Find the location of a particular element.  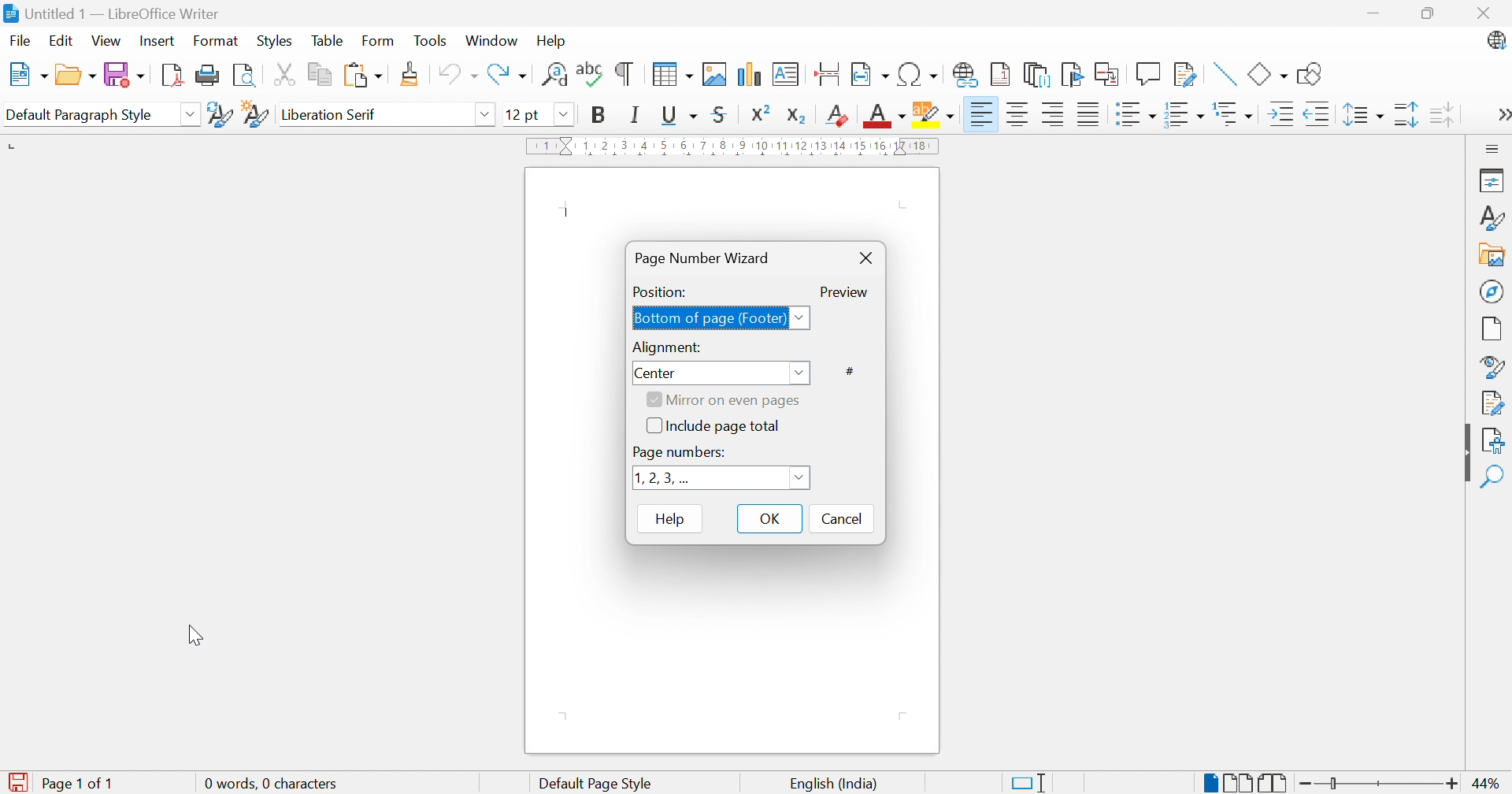

Gallery is located at coordinates (1493, 254).